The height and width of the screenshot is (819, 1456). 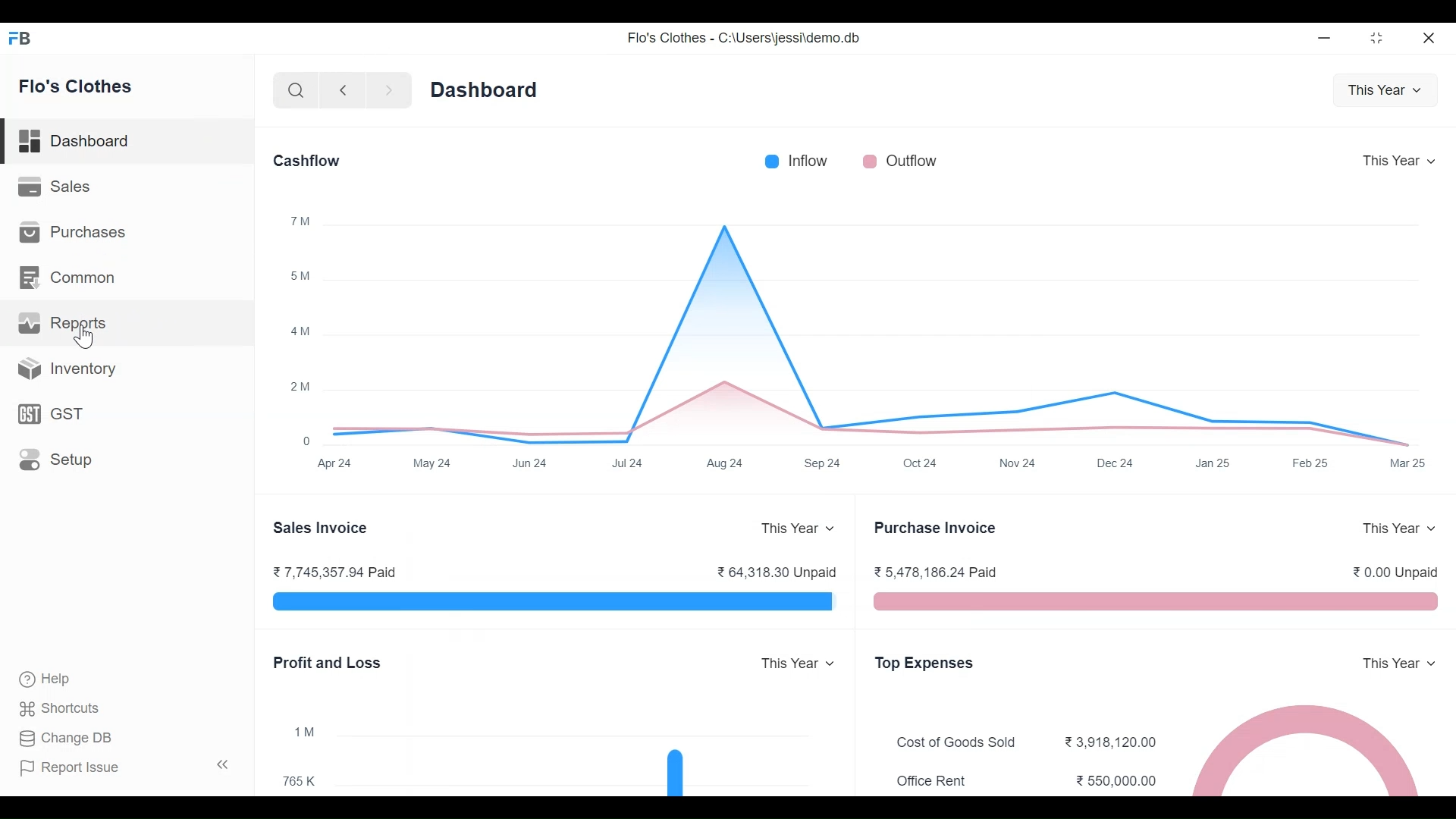 What do you see at coordinates (881, 321) in the screenshot?
I see `graph` at bounding box center [881, 321].